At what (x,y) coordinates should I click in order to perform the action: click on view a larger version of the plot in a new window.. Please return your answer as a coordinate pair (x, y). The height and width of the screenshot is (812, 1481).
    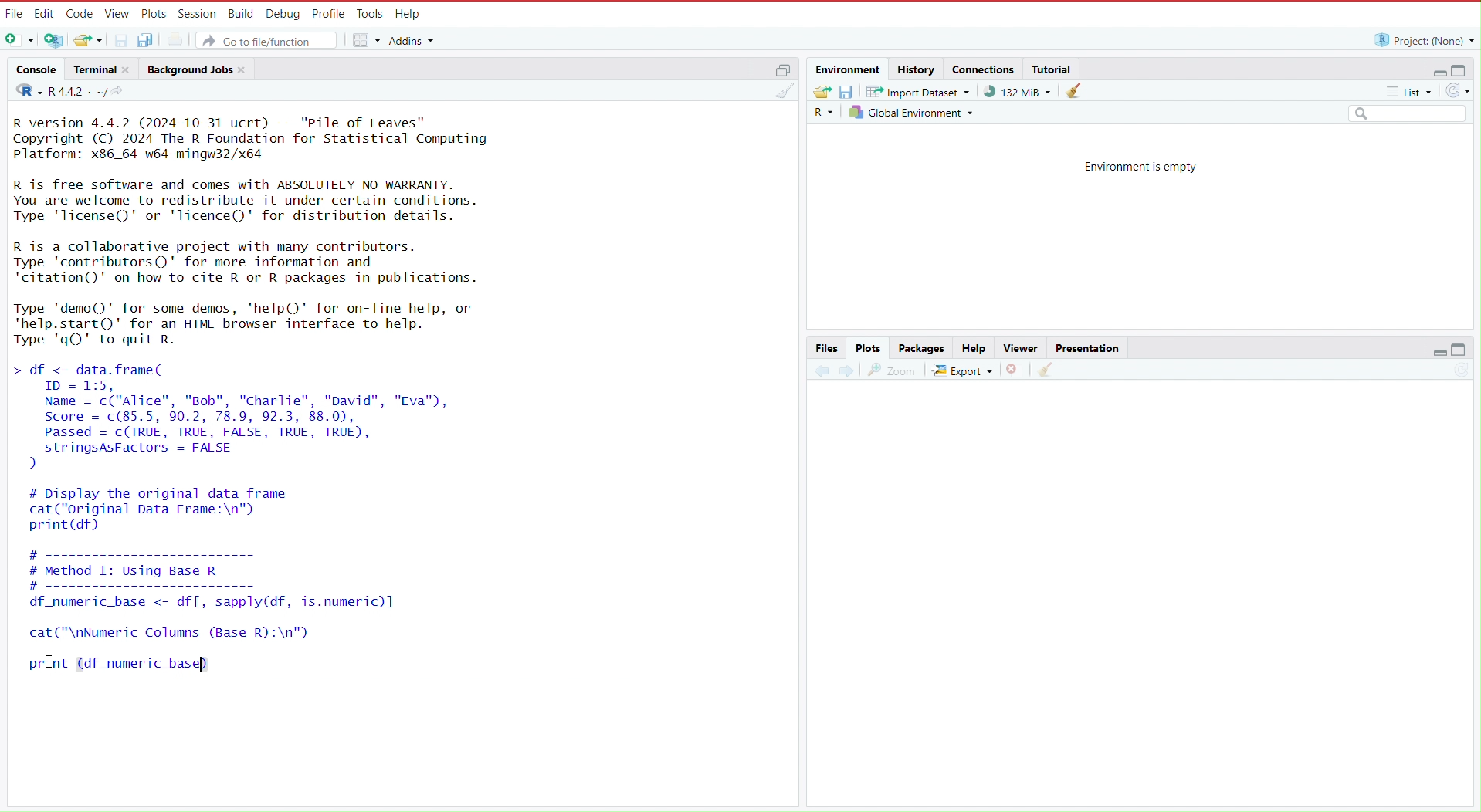
    Looking at the image, I should click on (893, 370).